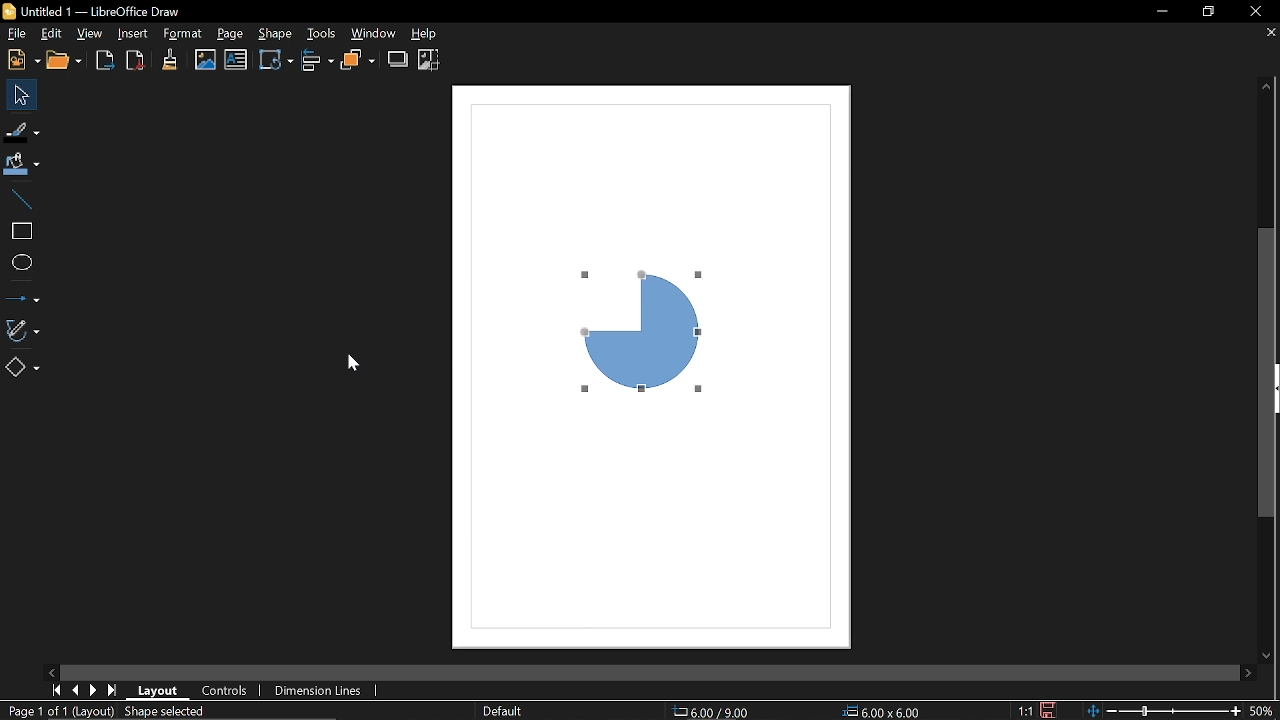  Describe the element at coordinates (358, 60) in the screenshot. I see `Arrange` at that location.